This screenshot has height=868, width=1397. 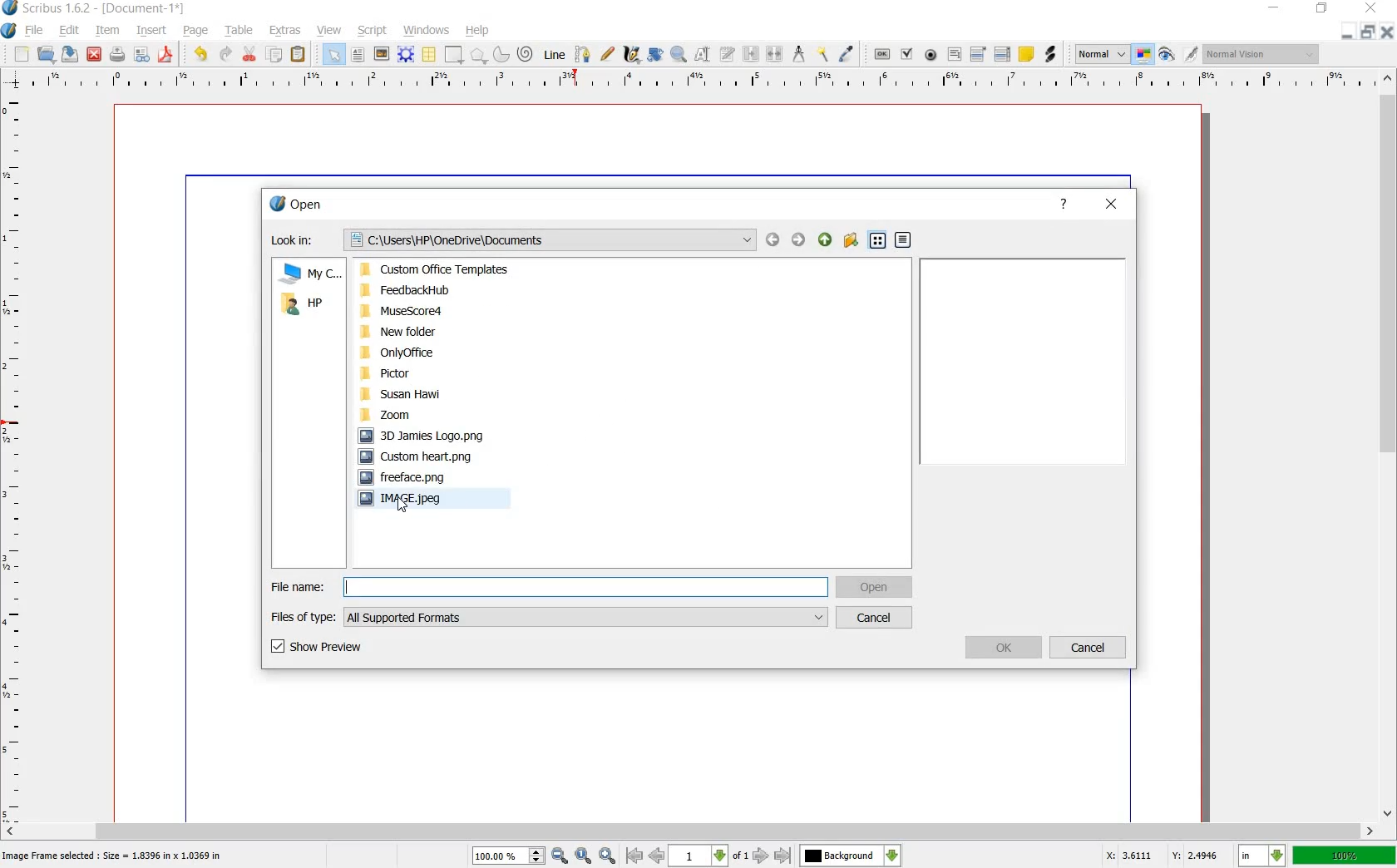 What do you see at coordinates (403, 506) in the screenshot?
I see `pointer` at bounding box center [403, 506].